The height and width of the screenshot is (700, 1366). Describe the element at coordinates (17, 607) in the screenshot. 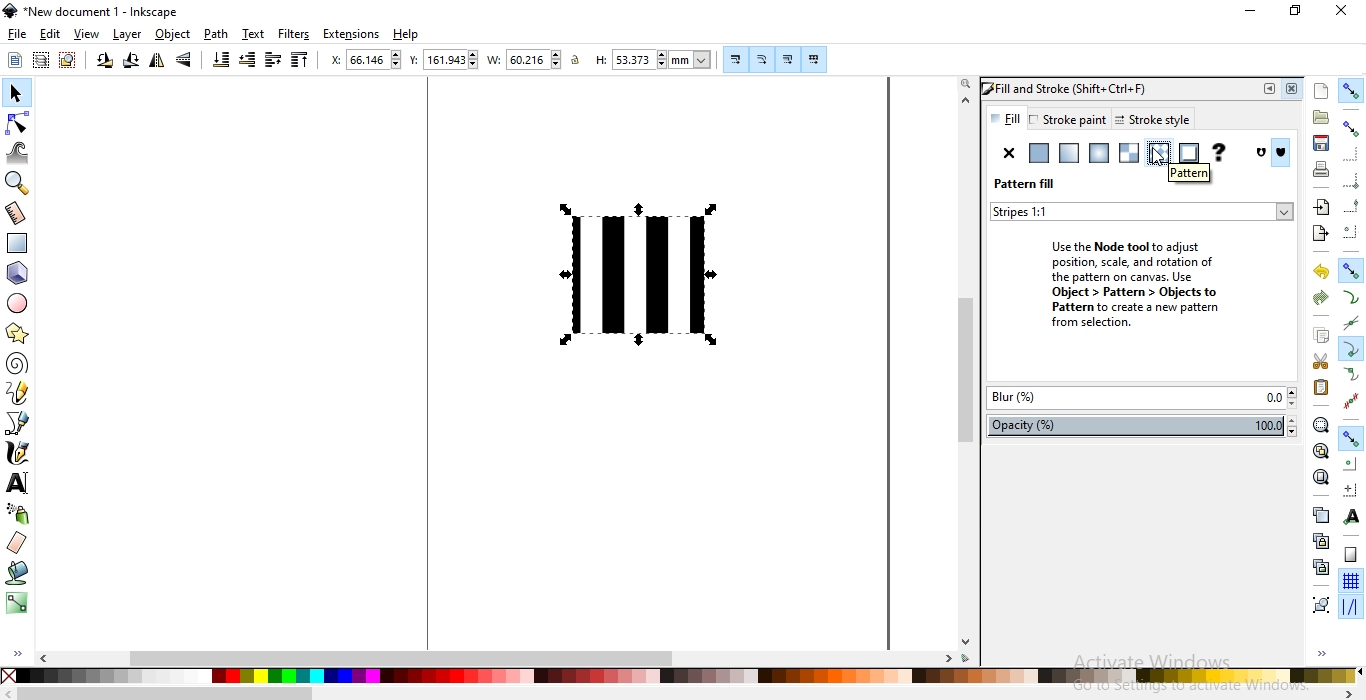

I see `create and edit gradient ` at that location.